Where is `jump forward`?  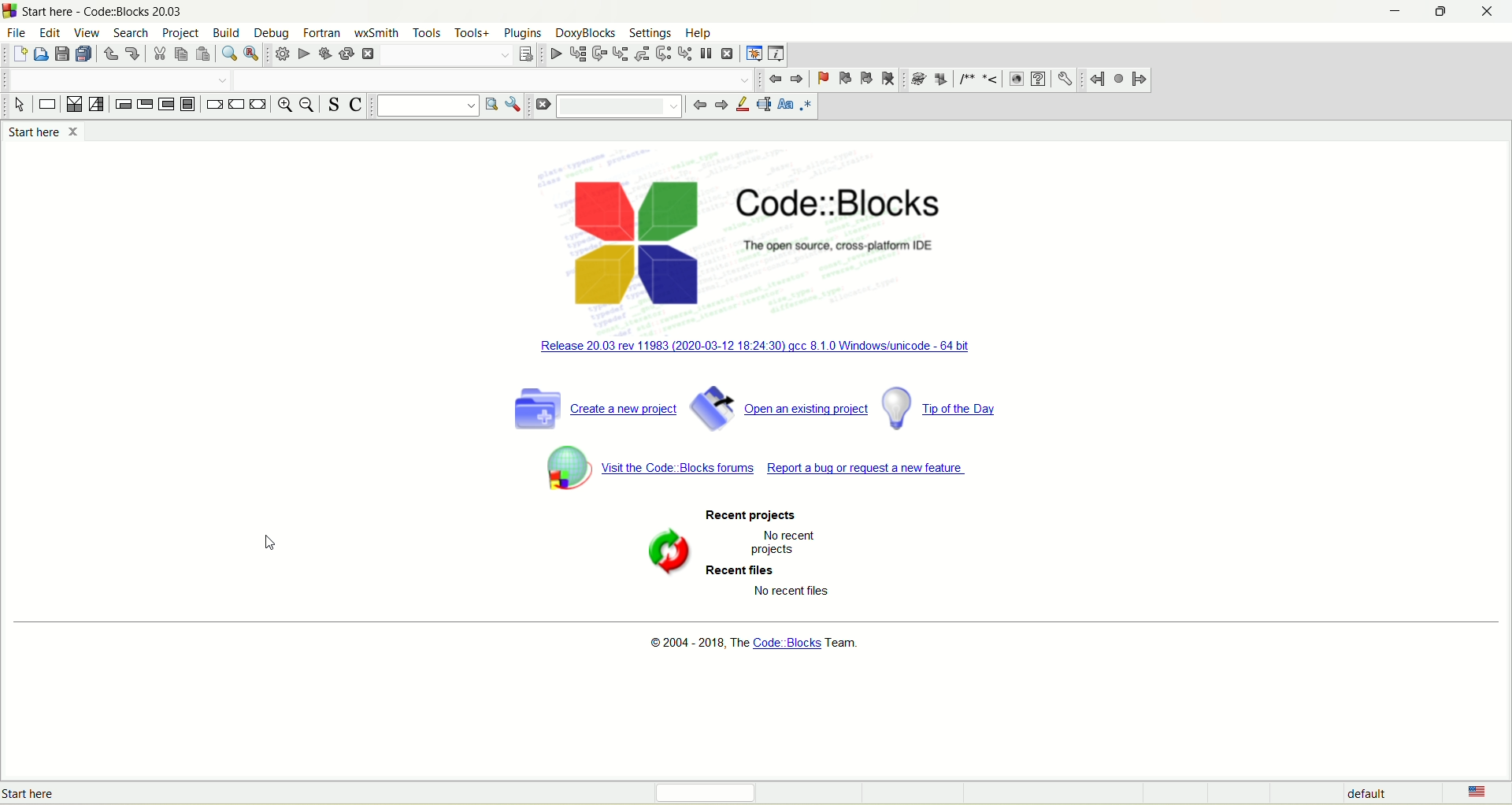
jump forward is located at coordinates (1141, 80).